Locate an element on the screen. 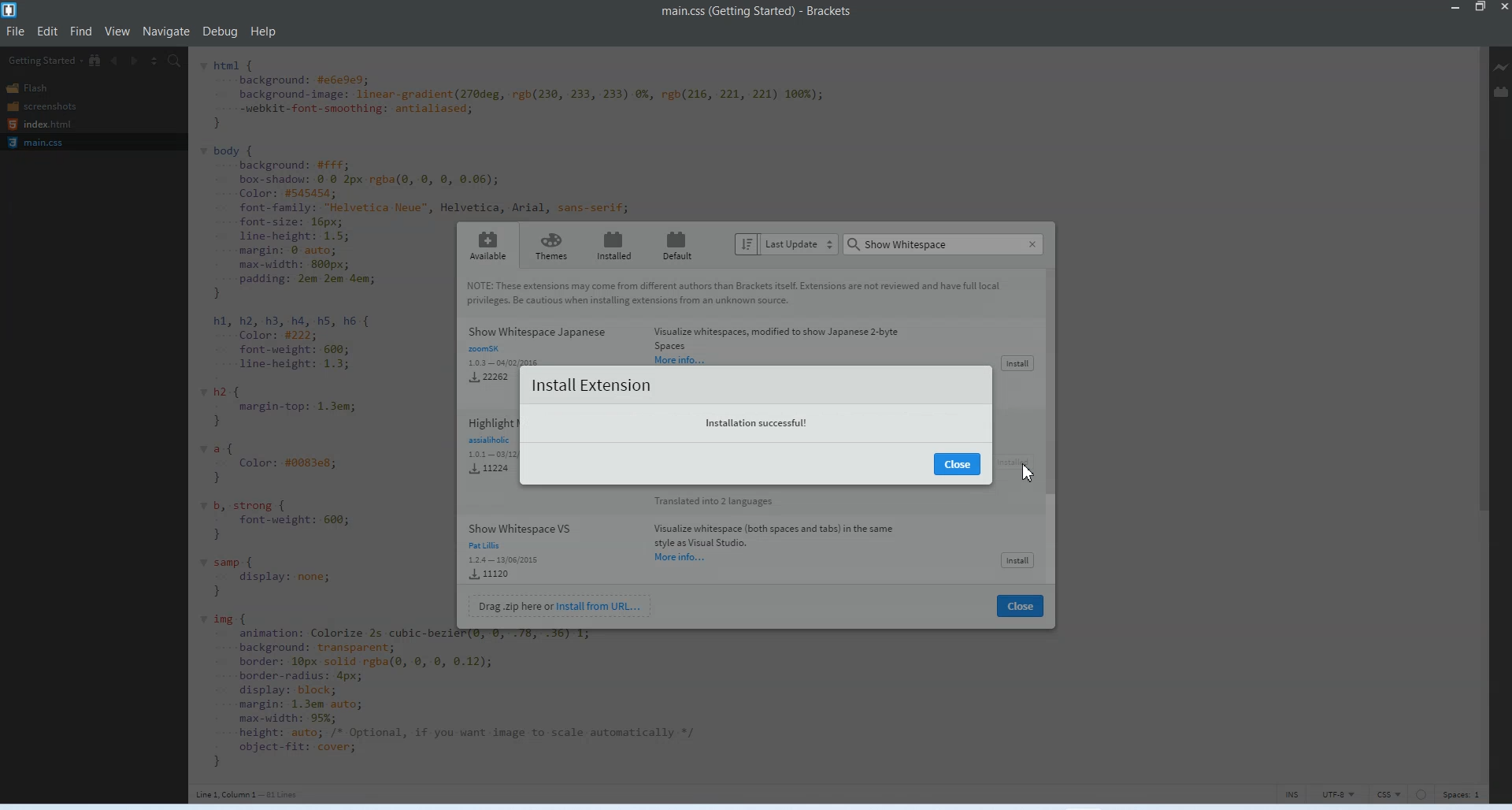 The height and width of the screenshot is (810, 1512). Help is located at coordinates (265, 32).